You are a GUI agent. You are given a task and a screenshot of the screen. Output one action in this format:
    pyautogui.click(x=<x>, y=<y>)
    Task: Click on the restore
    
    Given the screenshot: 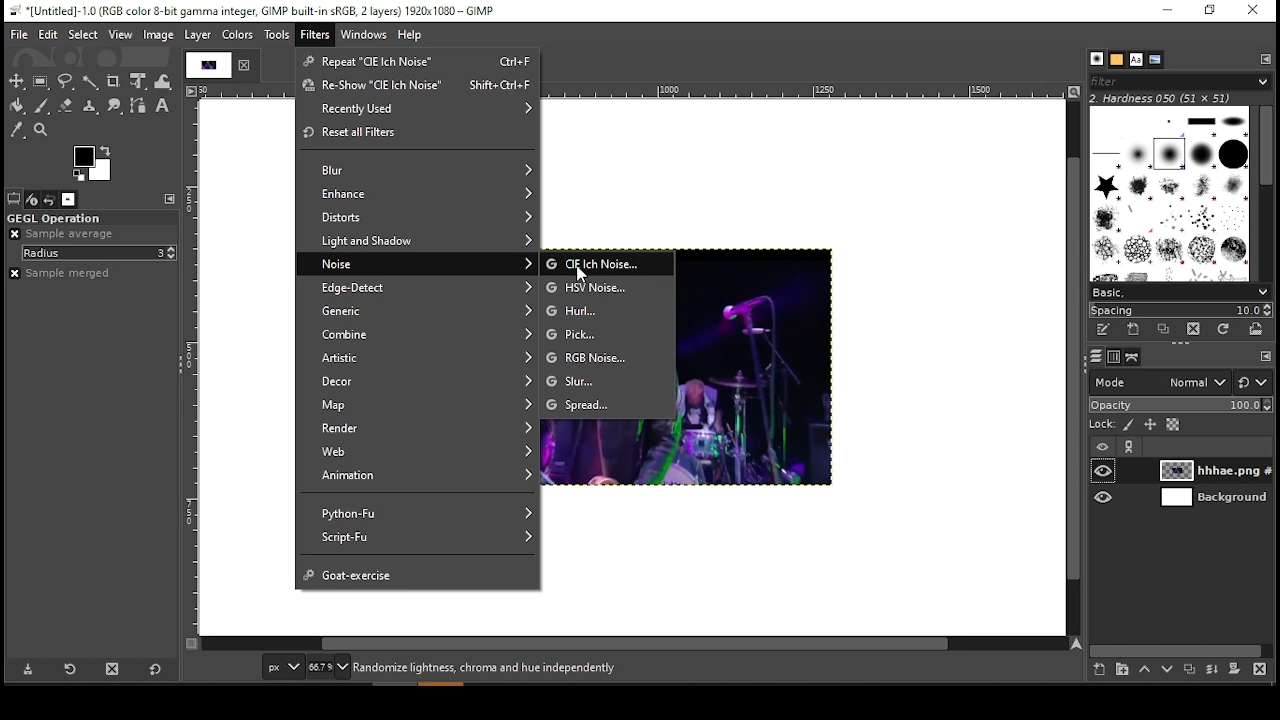 What is the action you would take?
    pyautogui.click(x=1207, y=12)
    